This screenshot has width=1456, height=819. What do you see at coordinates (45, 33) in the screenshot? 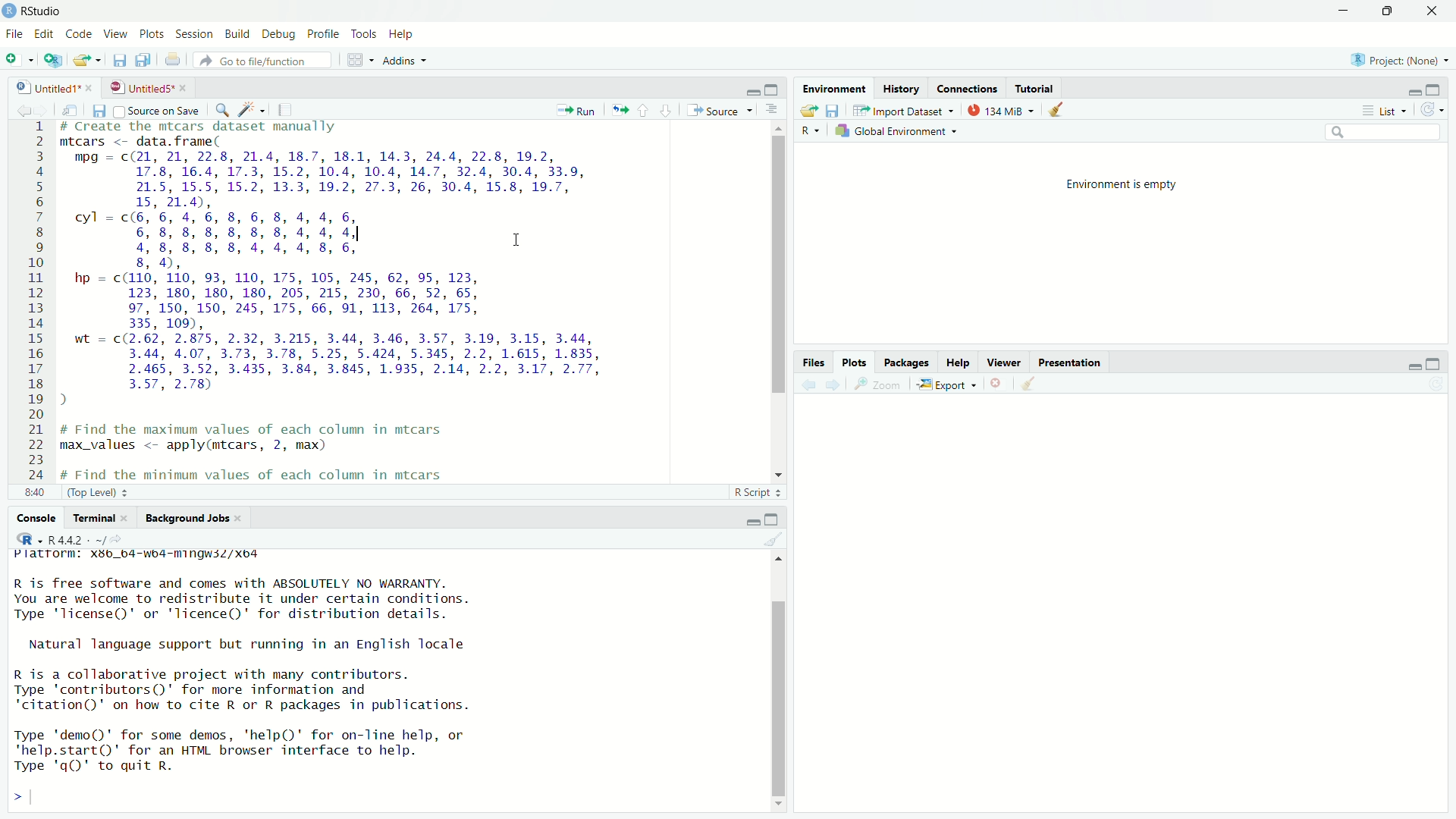
I see `Edit` at bounding box center [45, 33].